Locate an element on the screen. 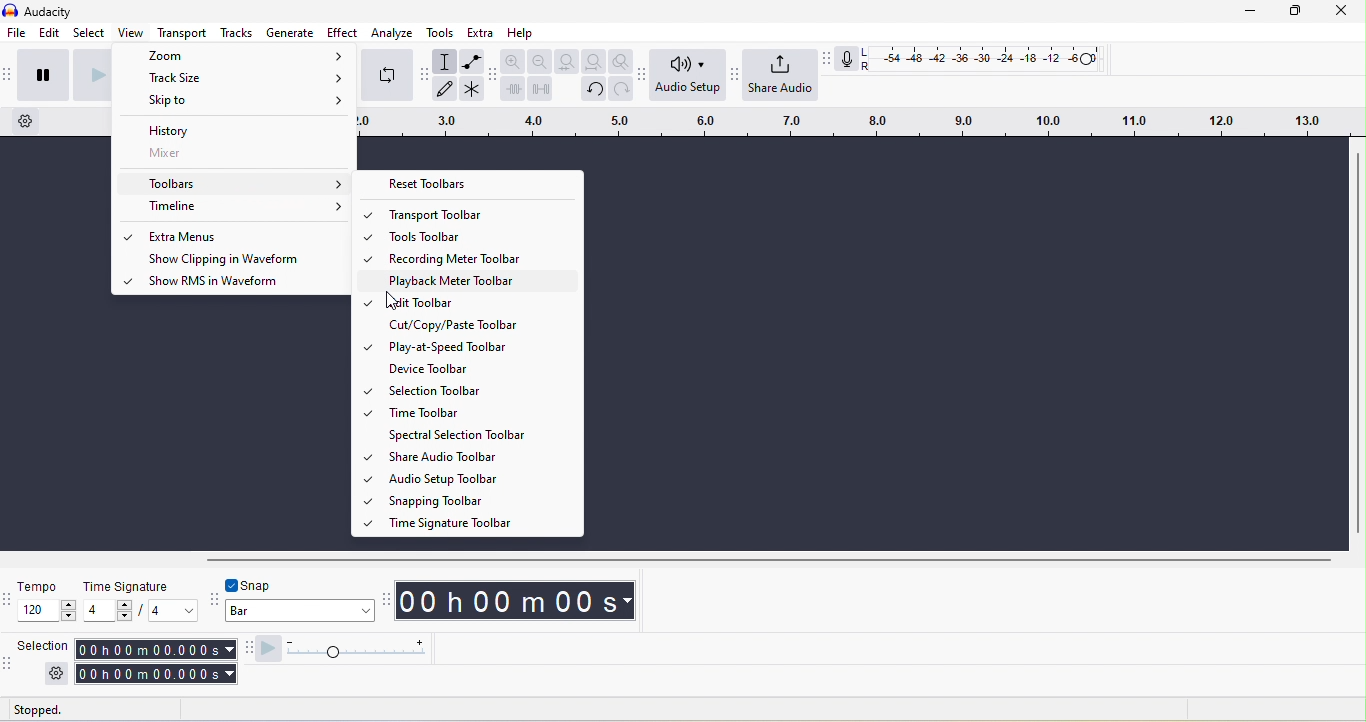  play at speed is located at coordinates (268, 650).